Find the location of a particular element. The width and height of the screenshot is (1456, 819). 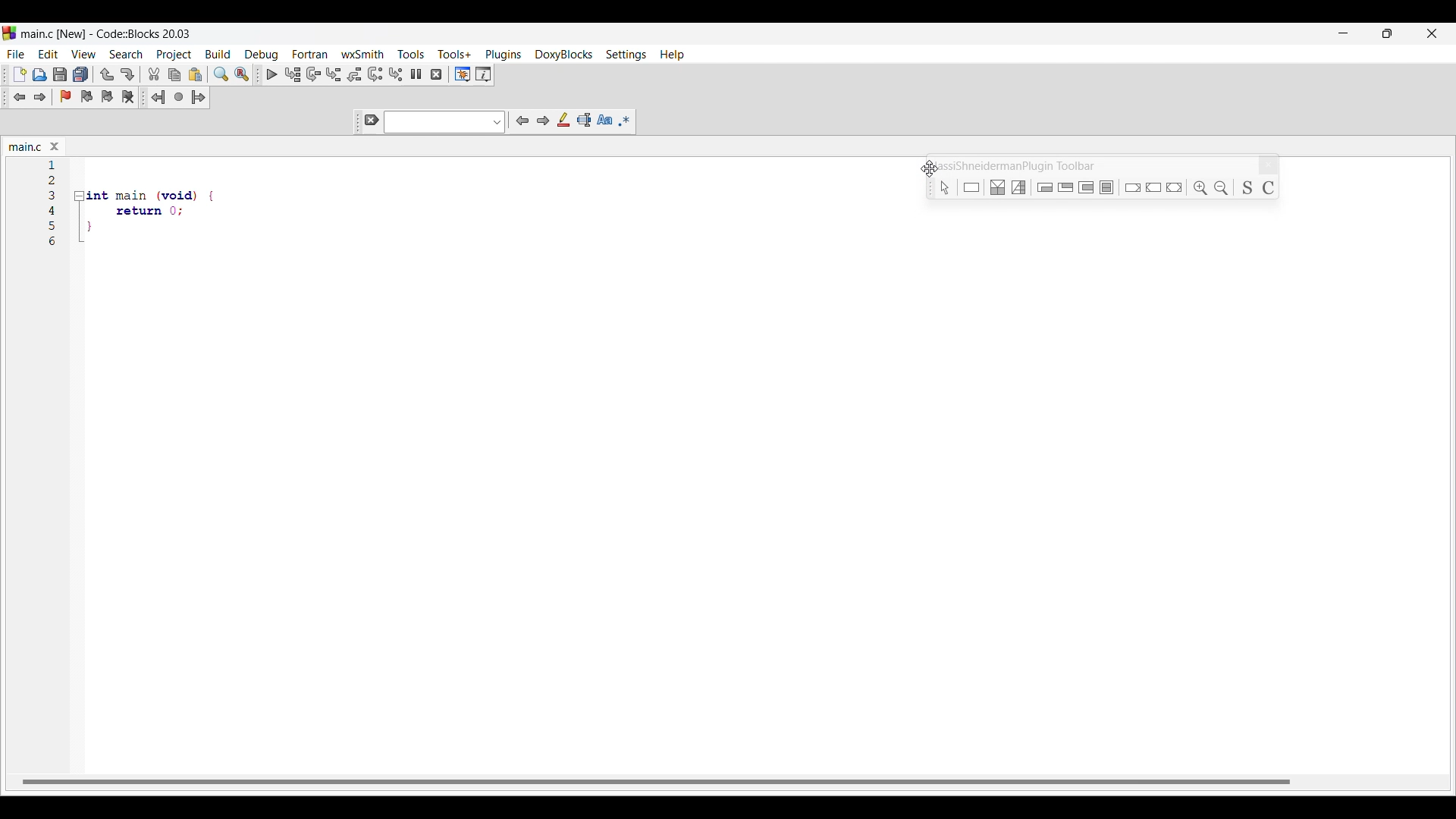

Cut is located at coordinates (154, 74).